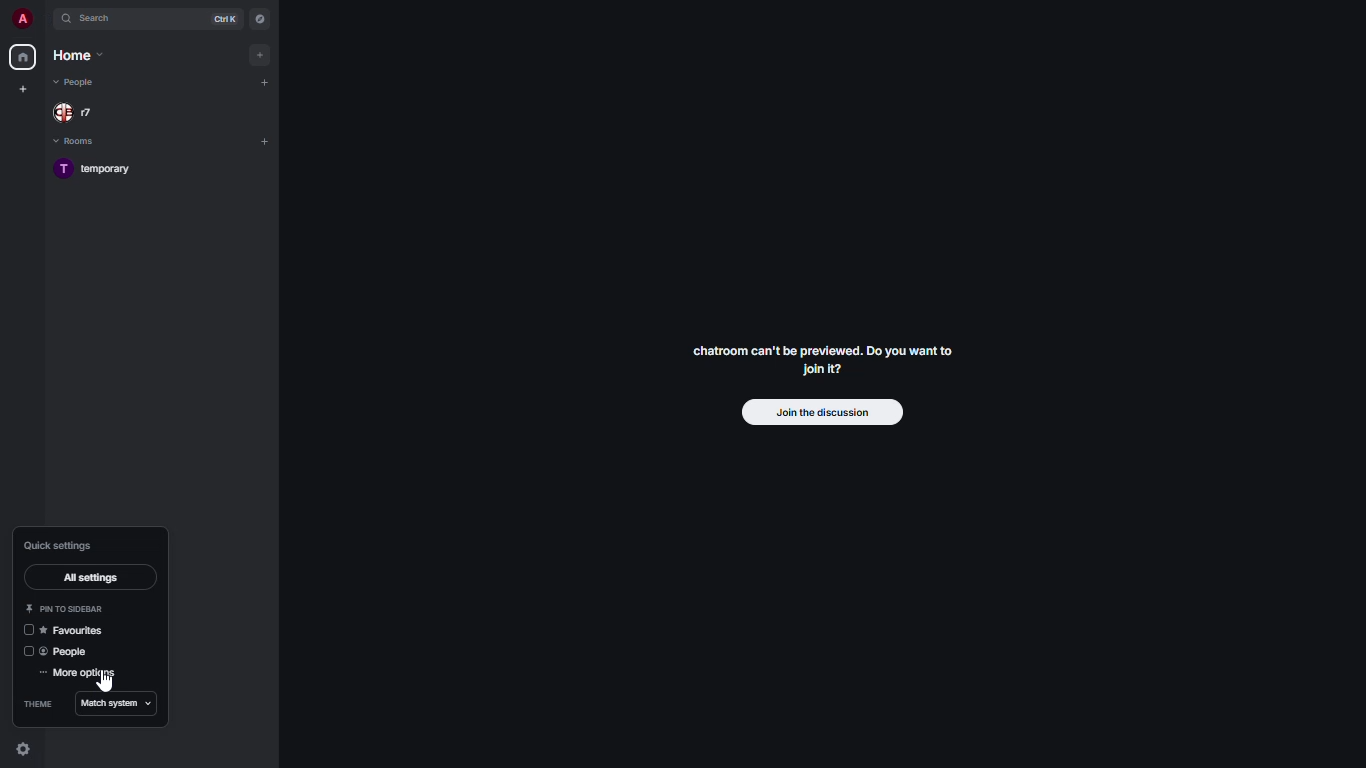  Describe the element at coordinates (25, 88) in the screenshot. I see `create new space` at that location.